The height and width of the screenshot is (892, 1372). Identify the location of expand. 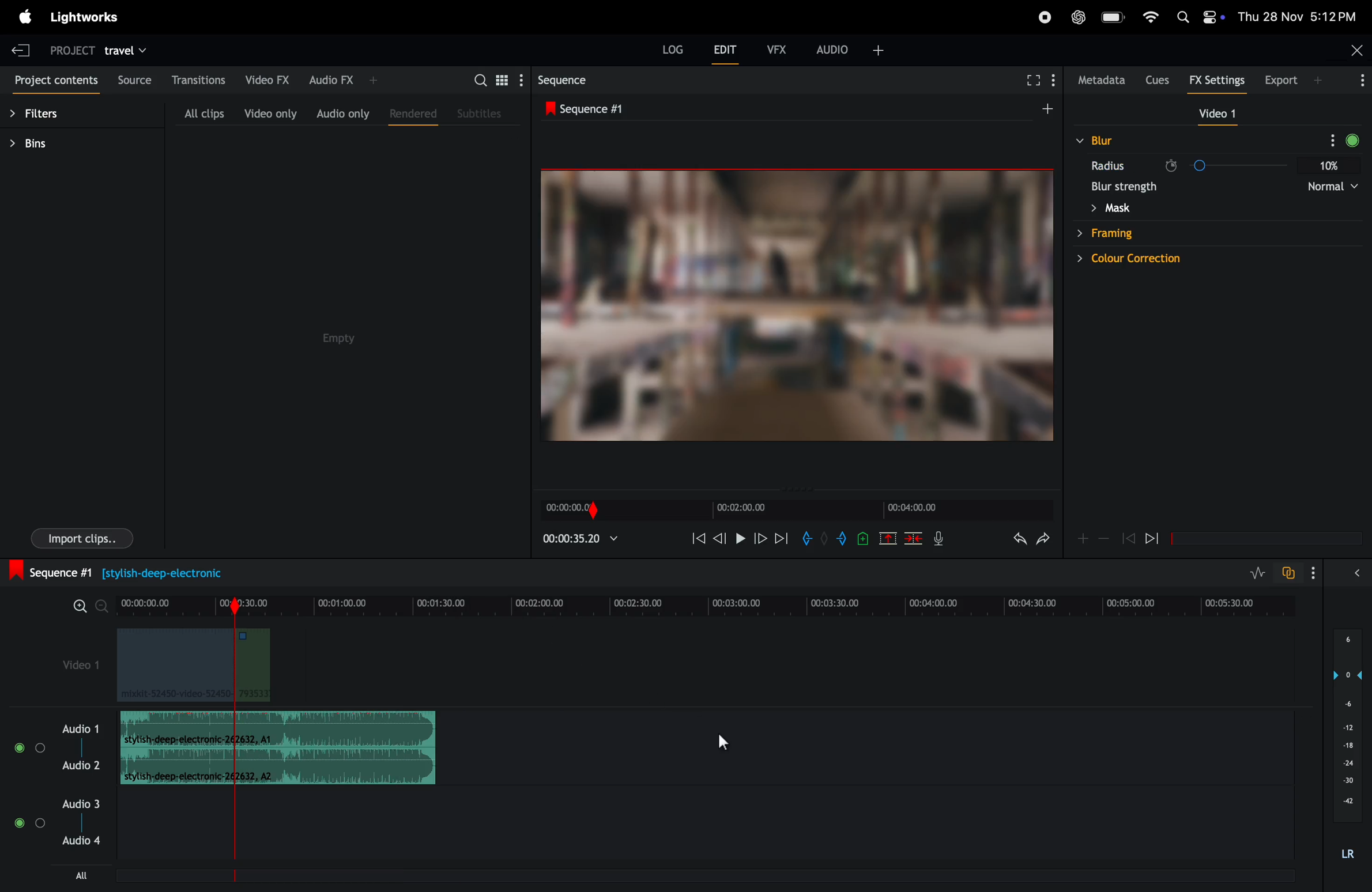
(1354, 575).